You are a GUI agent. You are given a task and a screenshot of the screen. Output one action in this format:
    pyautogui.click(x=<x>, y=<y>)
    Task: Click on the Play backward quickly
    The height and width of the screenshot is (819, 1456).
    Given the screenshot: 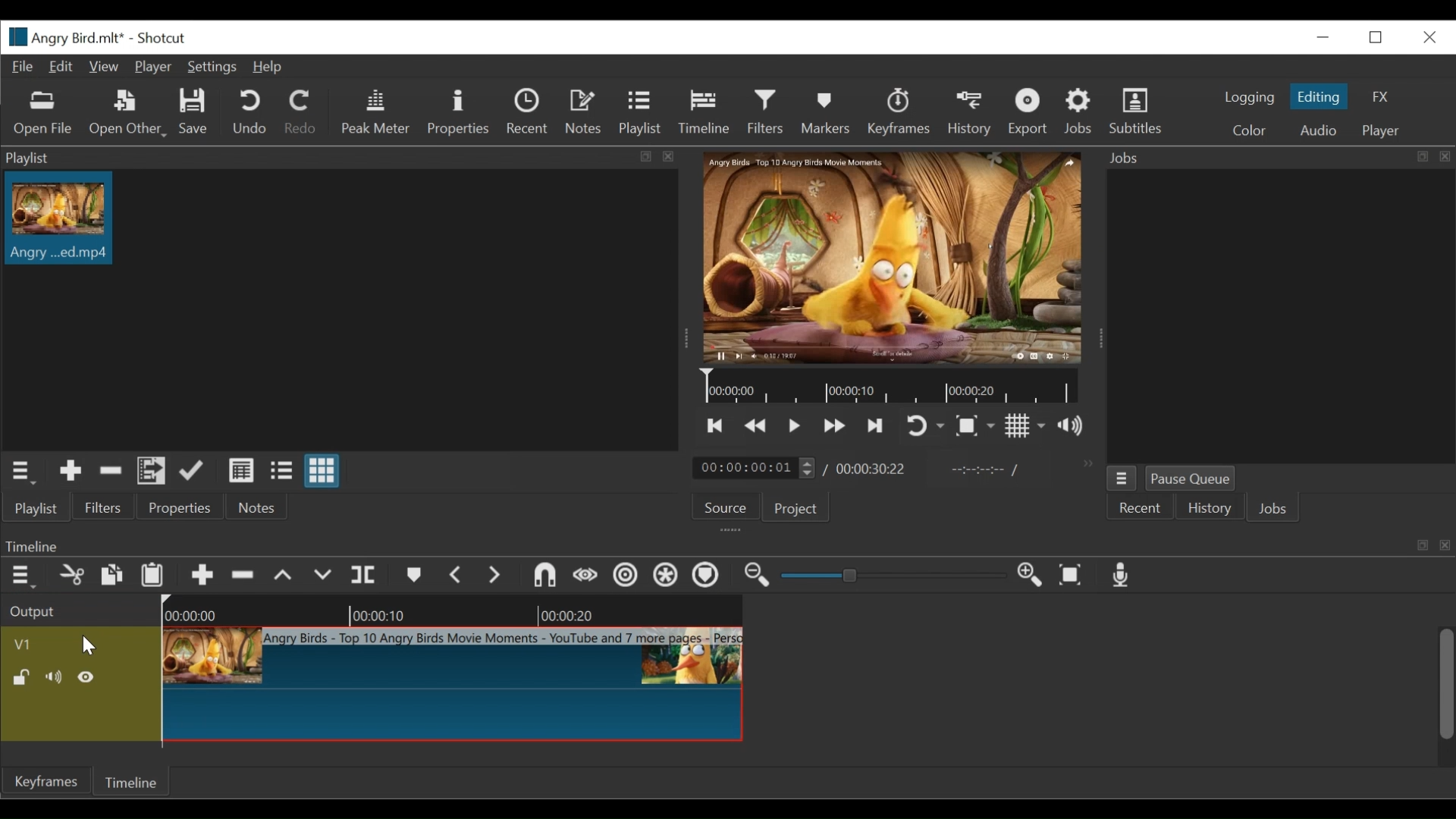 What is the action you would take?
    pyautogui.click(x=757, y=425)
    